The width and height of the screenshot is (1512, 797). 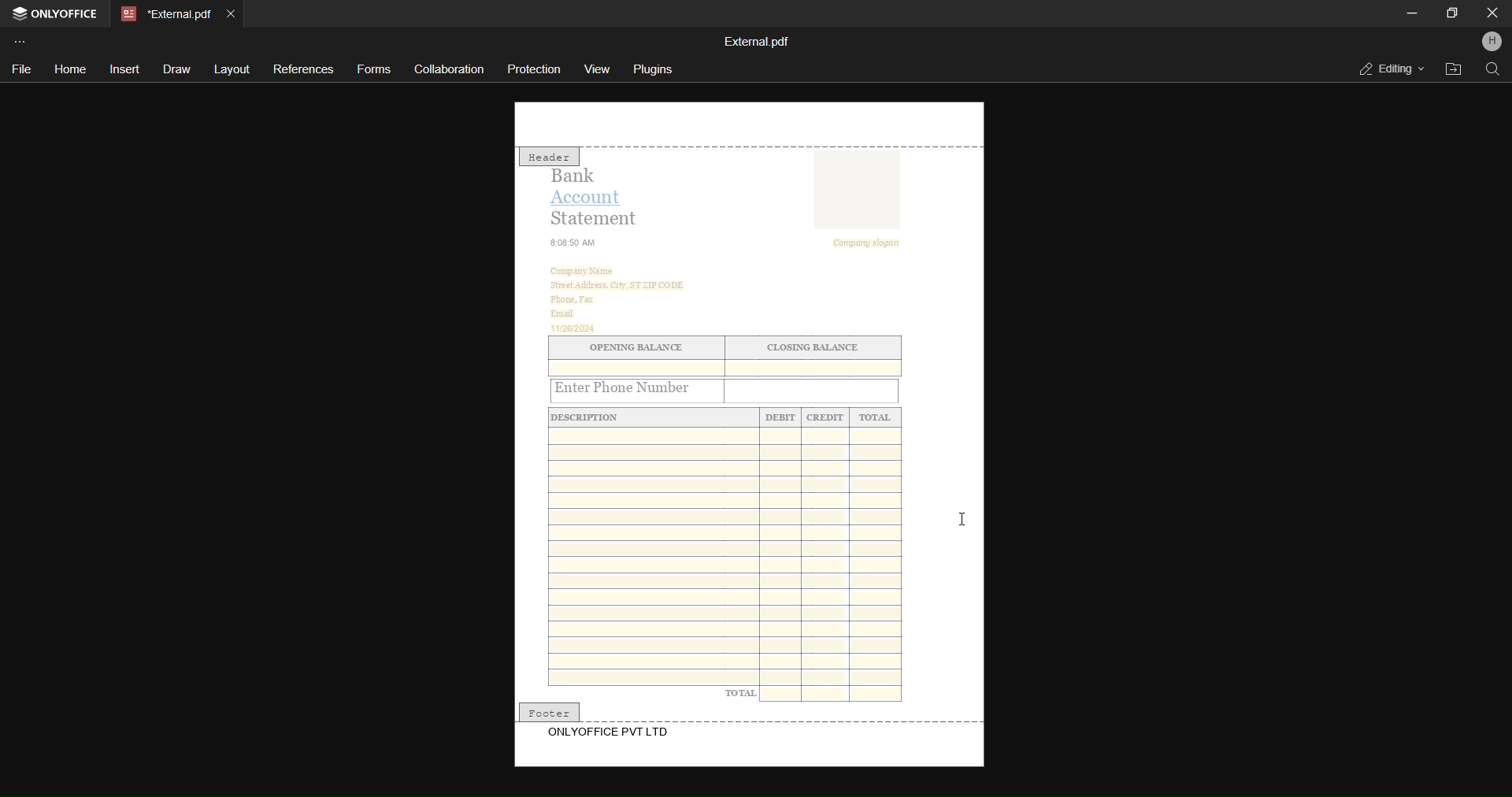 What do you see at coordinates (1451, 70) in the screenshot?
I see `open file location` at bounding box center [1451, 70].